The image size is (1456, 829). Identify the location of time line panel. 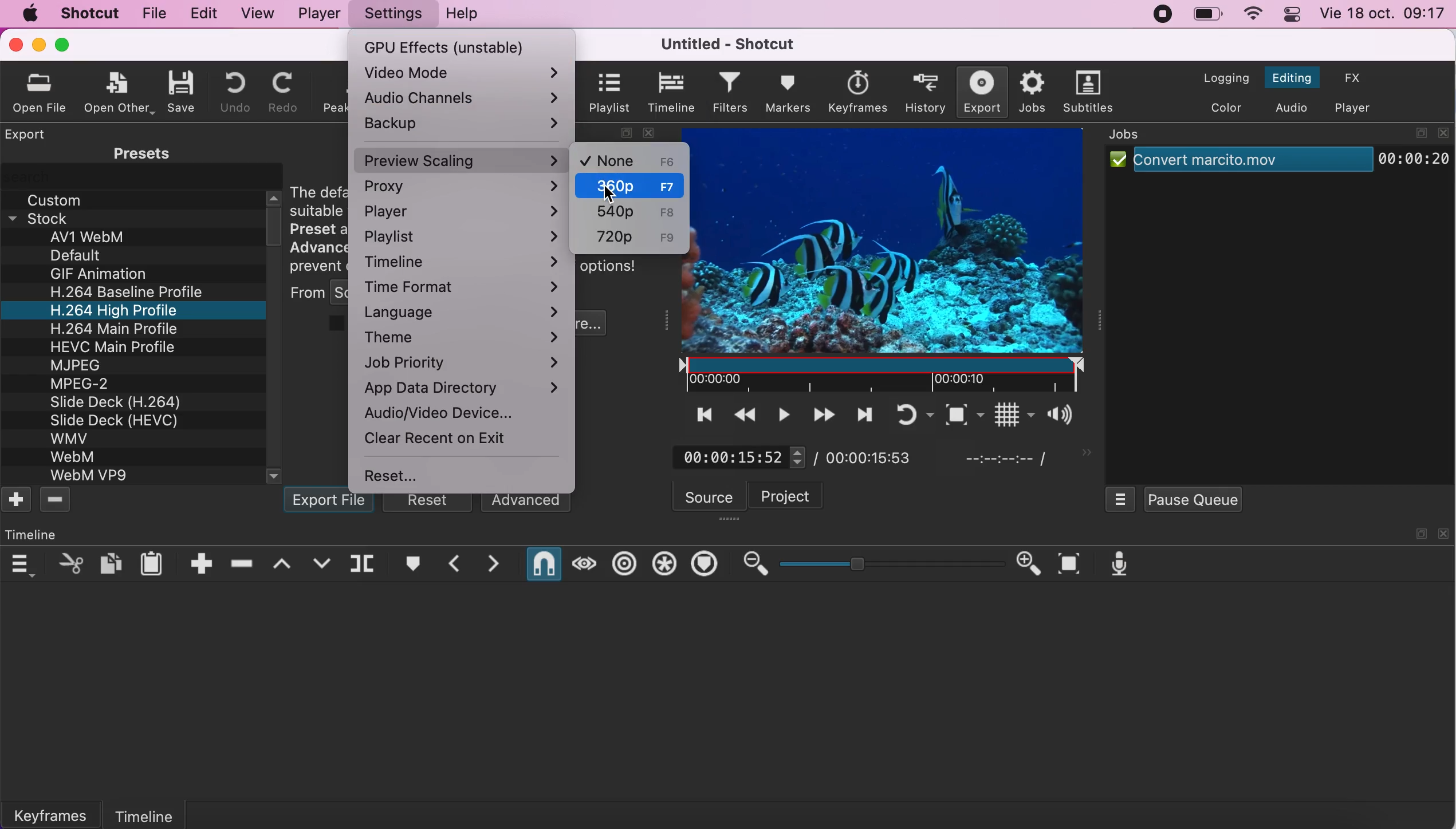
(34, 534).